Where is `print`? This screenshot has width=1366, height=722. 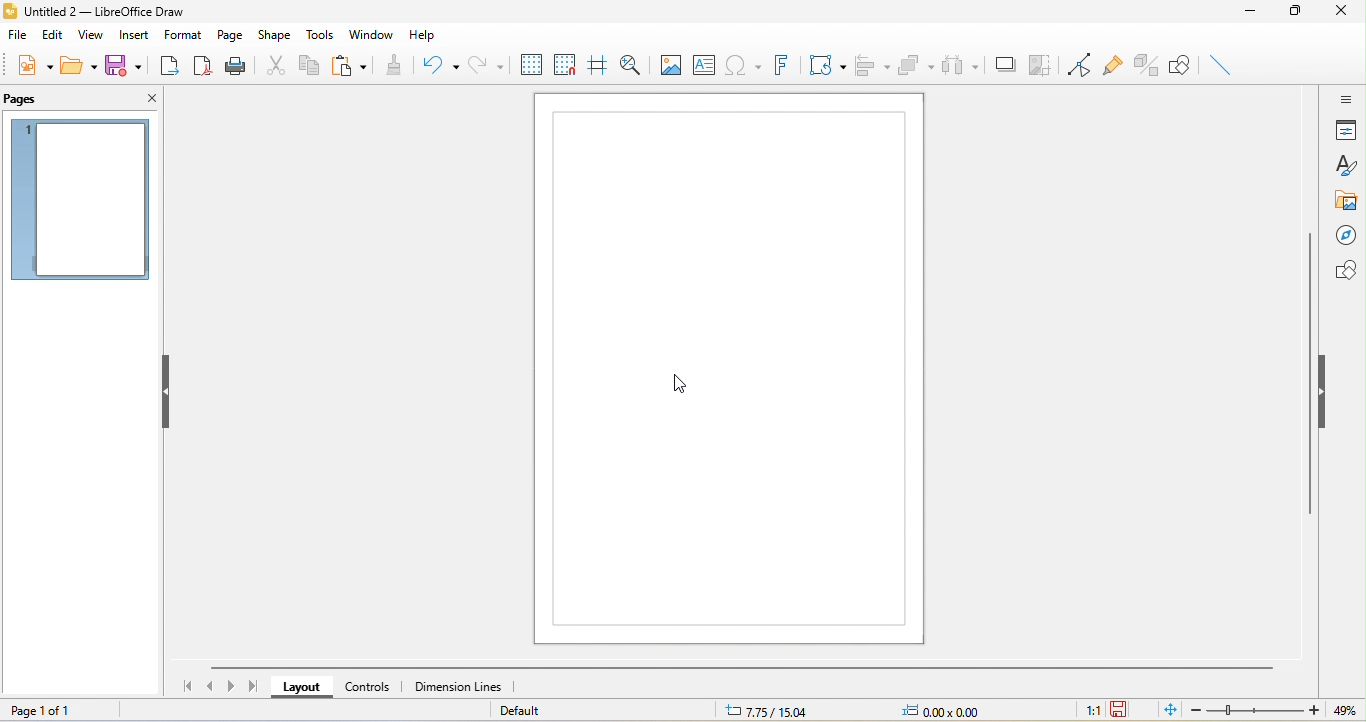
print is located at coordinates (235, 64).